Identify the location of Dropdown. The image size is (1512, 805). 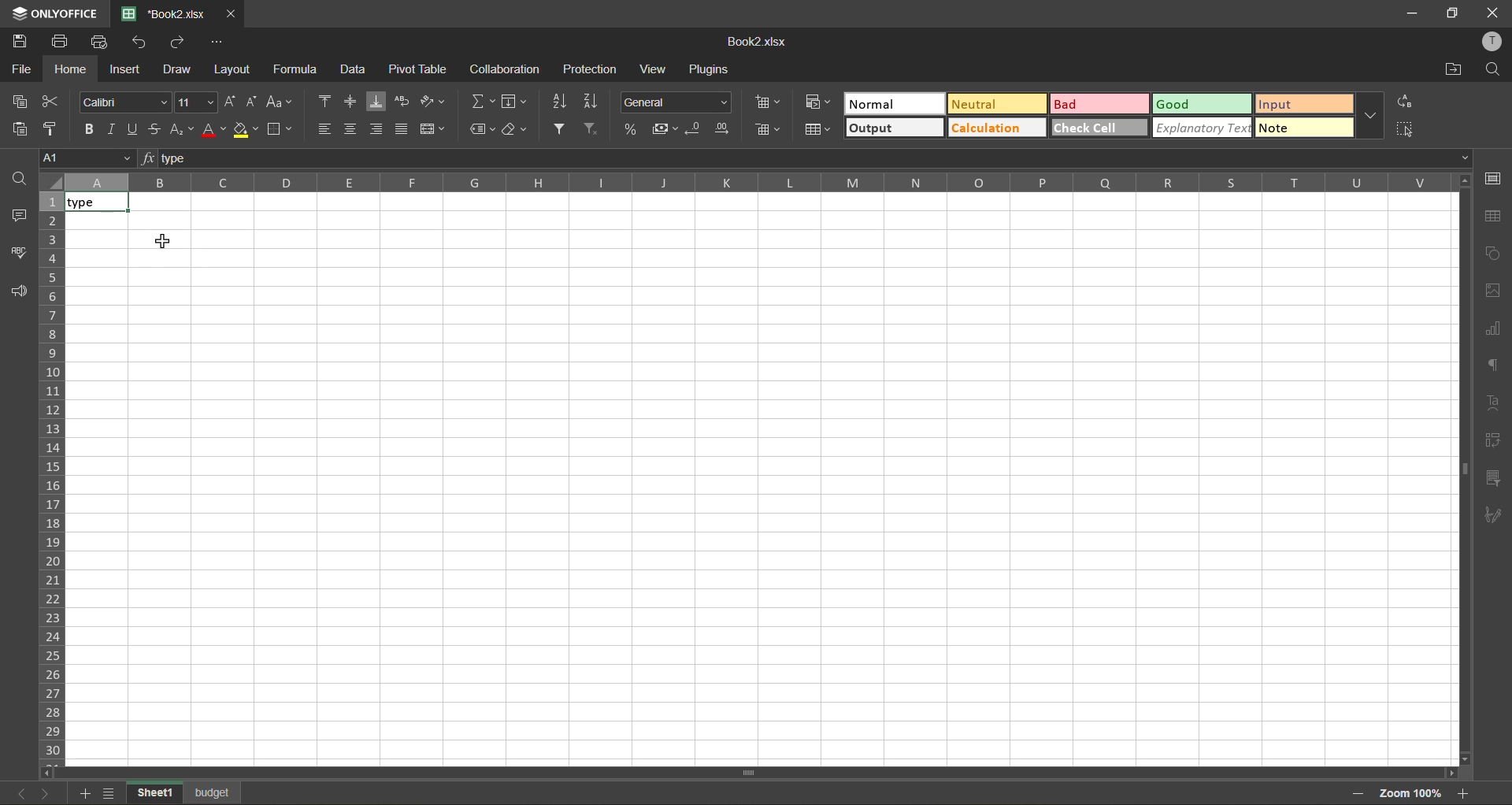
(1469, 158).